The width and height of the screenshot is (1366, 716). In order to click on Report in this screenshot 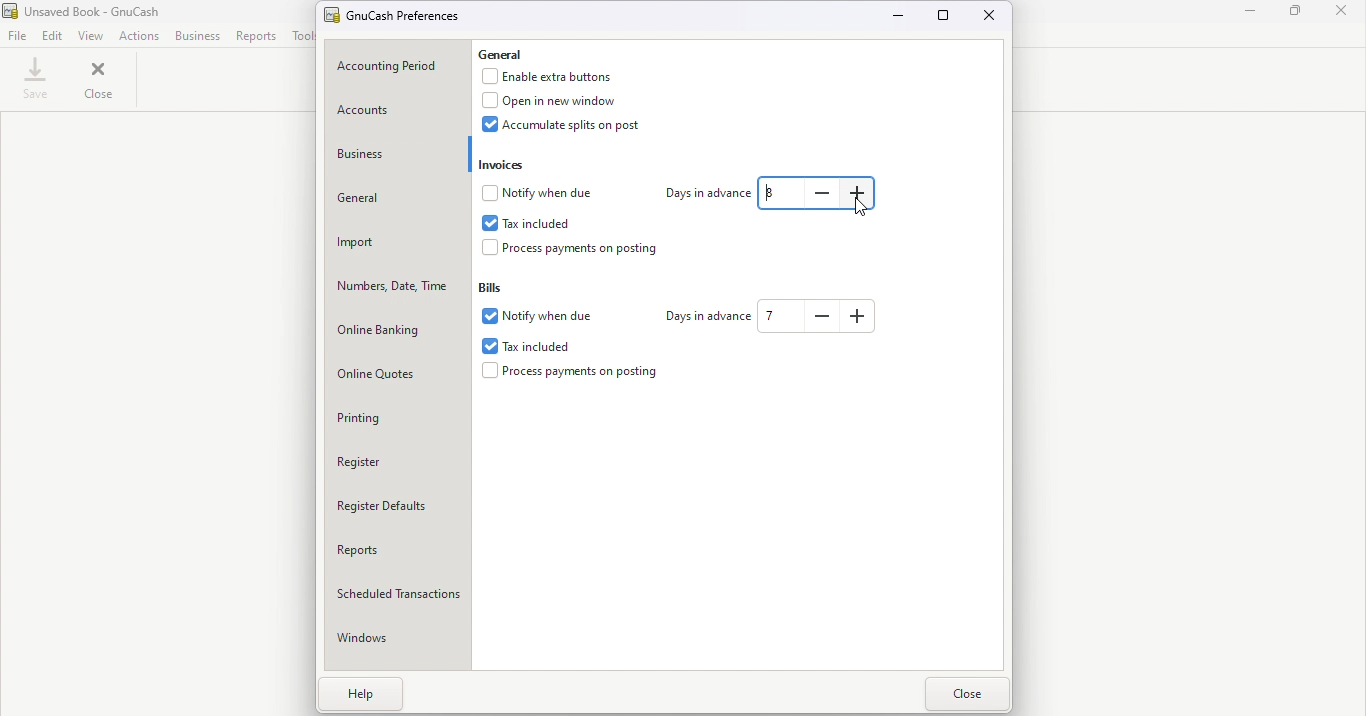, I will do `click(258, 36)`.